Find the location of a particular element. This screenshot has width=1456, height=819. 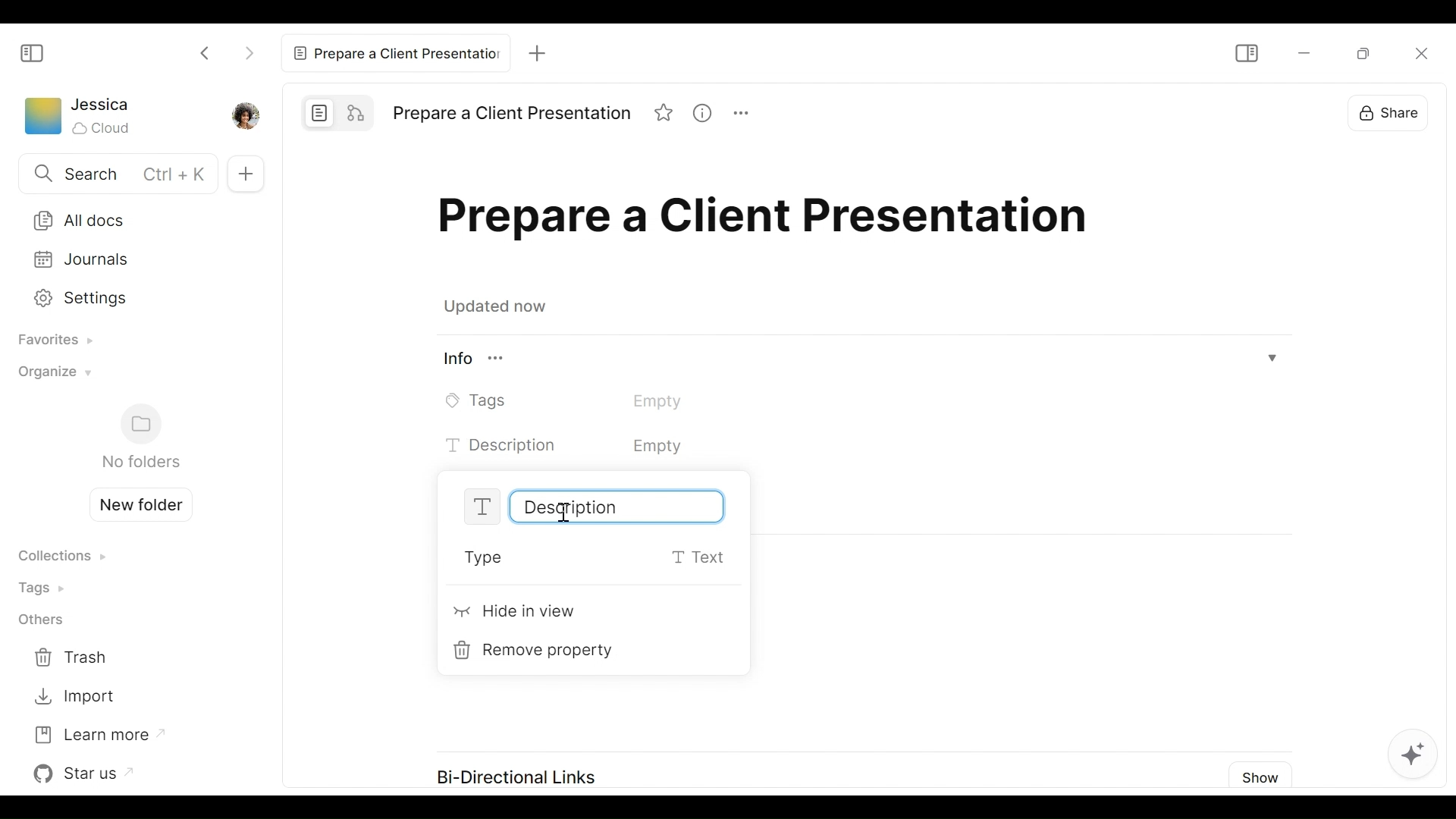

Text is located at coordinates (590, 506).